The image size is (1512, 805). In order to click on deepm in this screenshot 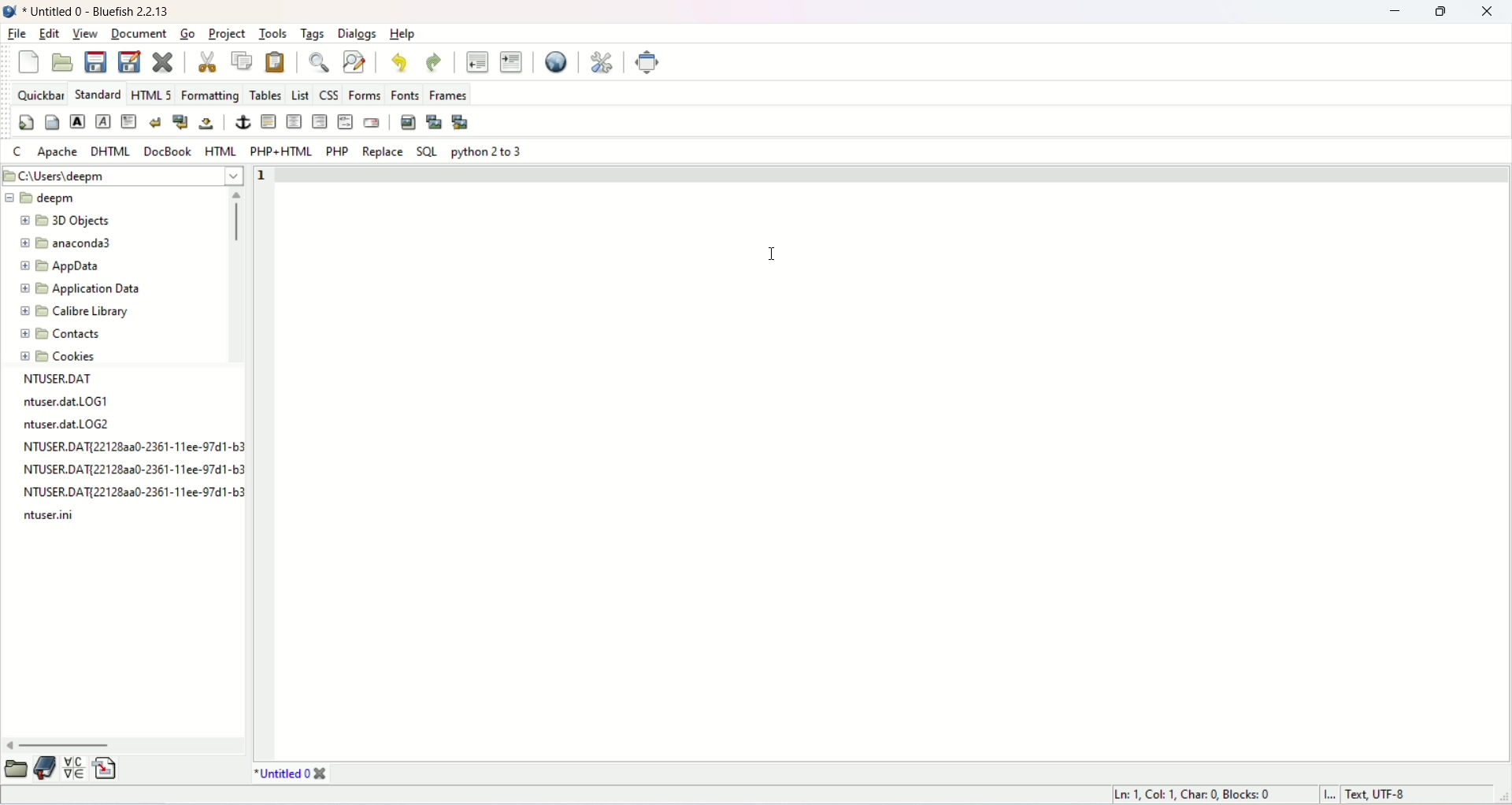, I will do `click(40, 199)`.